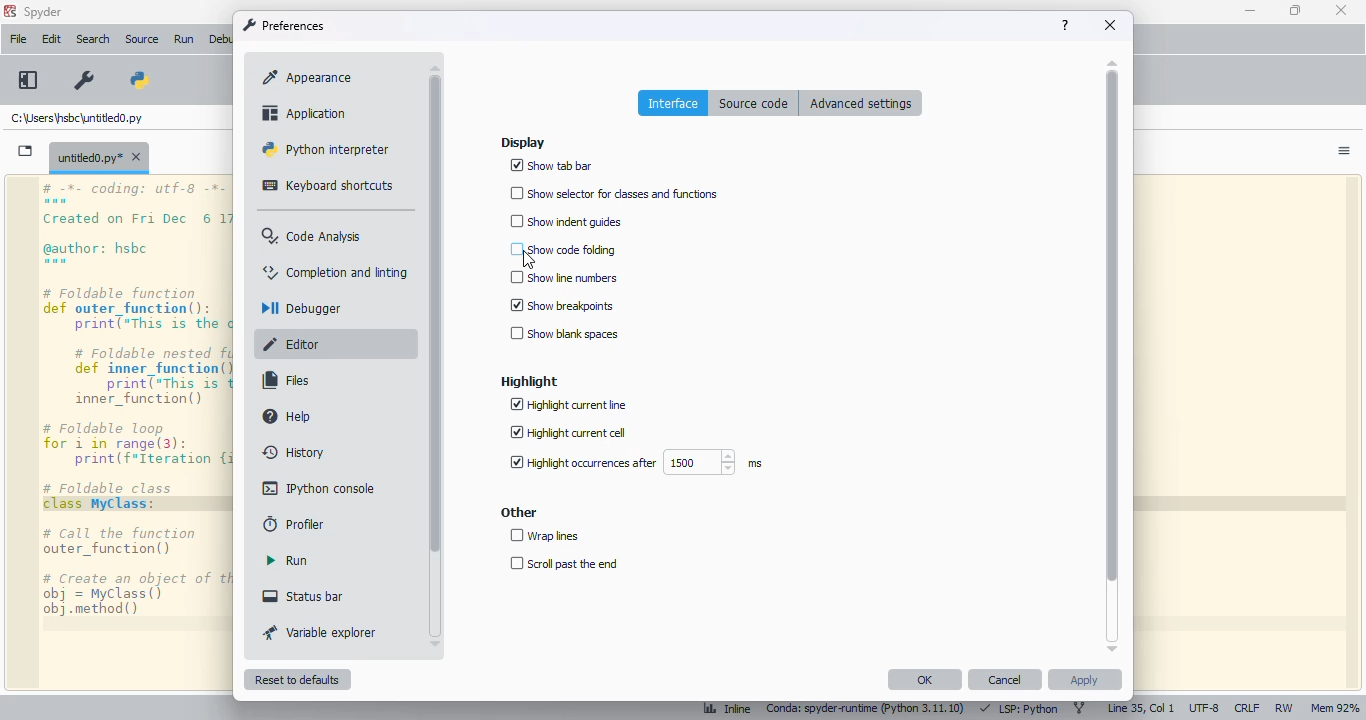 This screenshot has height=720, width=1366. What do you see at coordinates (568, 222) in the screenshot?
I see `show indent guides` at bounding box center [568, 222].